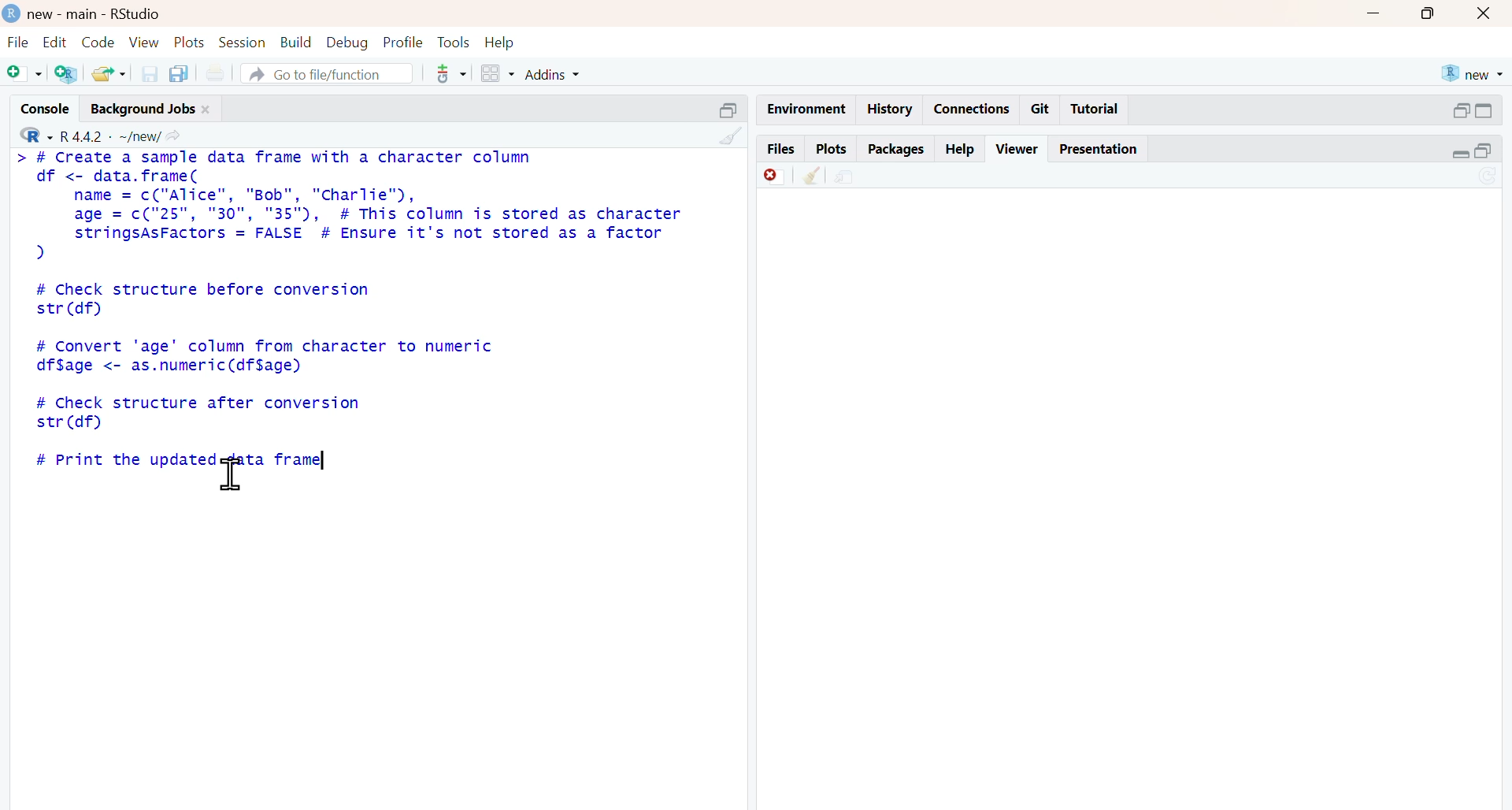 This screenshot has width=1512, height=810. I want to click on file, so click(17, 42).